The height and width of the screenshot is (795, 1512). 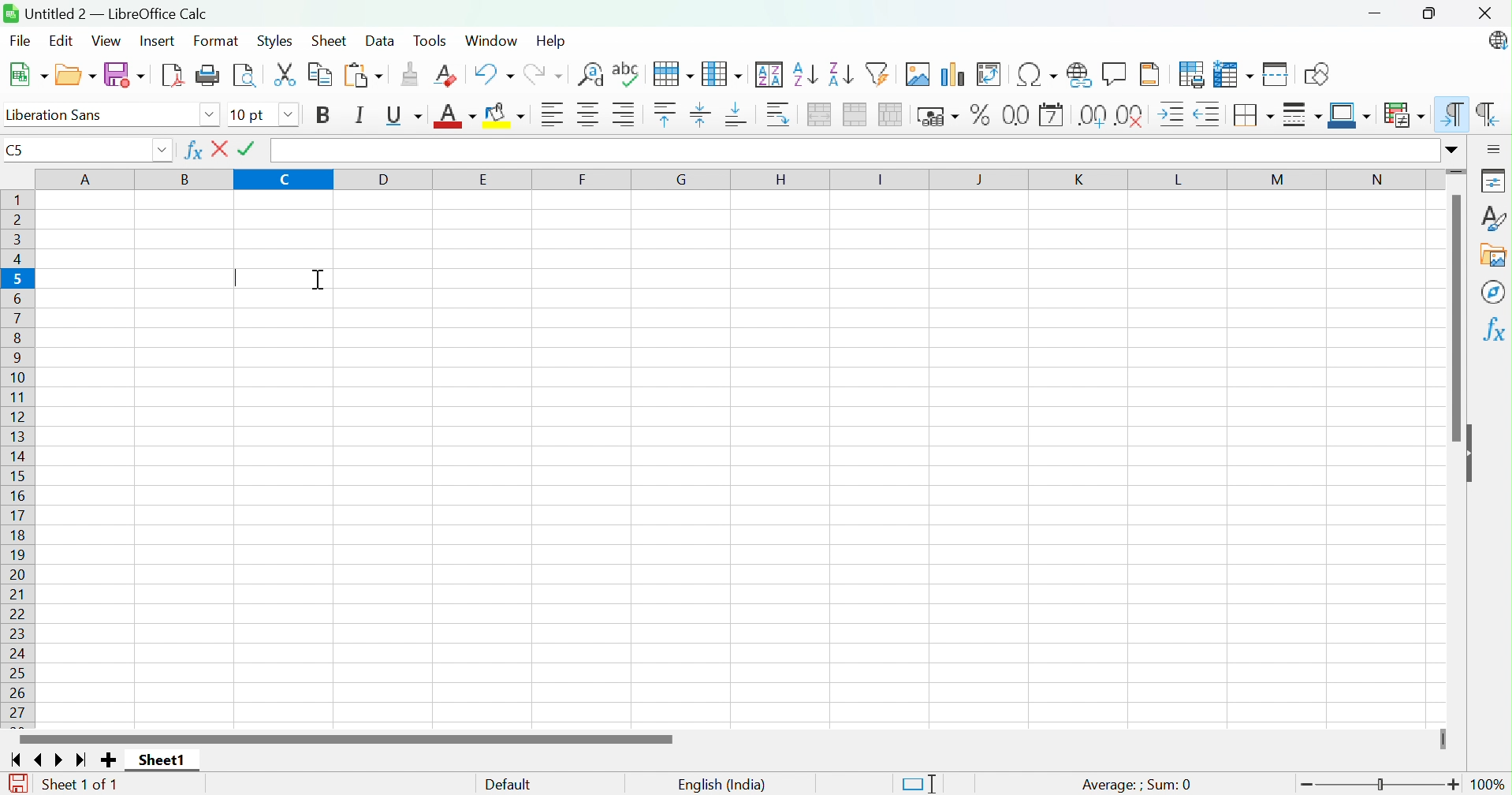 I want to click on Default, so click(x=509, y=785).